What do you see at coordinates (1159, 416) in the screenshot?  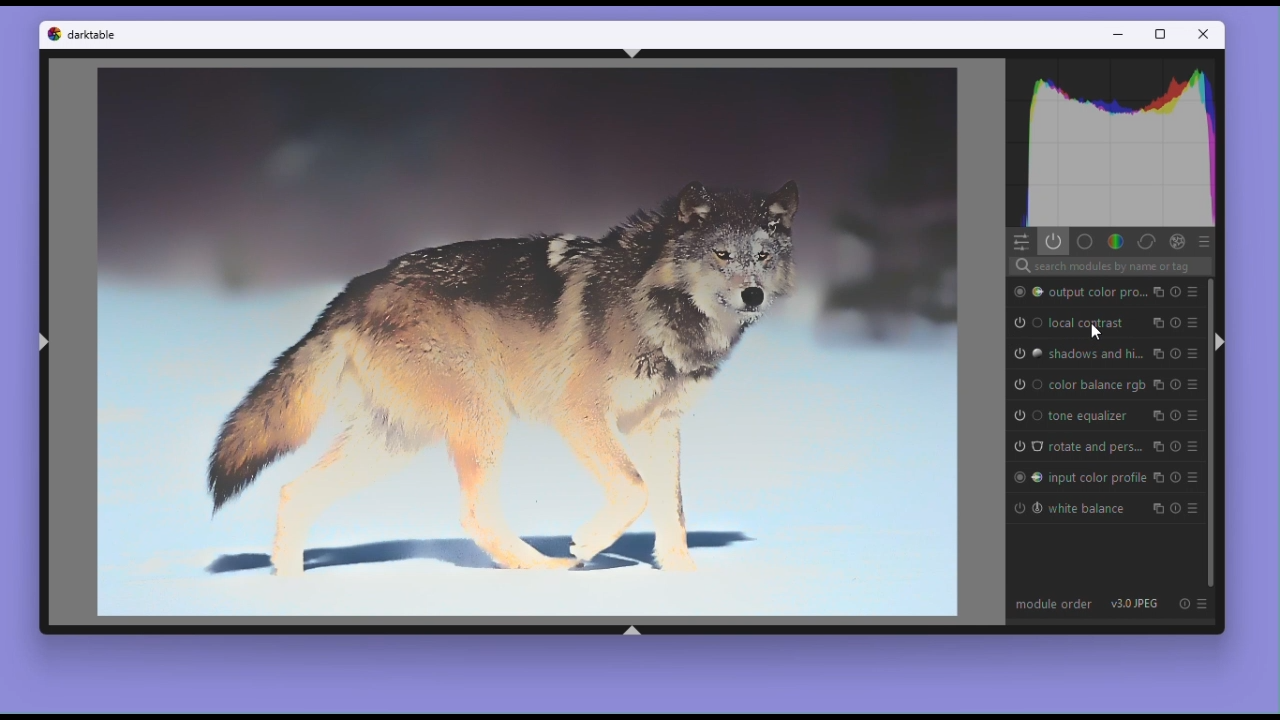 I see `multiple instance actions` at bounding box center [1159, 416].